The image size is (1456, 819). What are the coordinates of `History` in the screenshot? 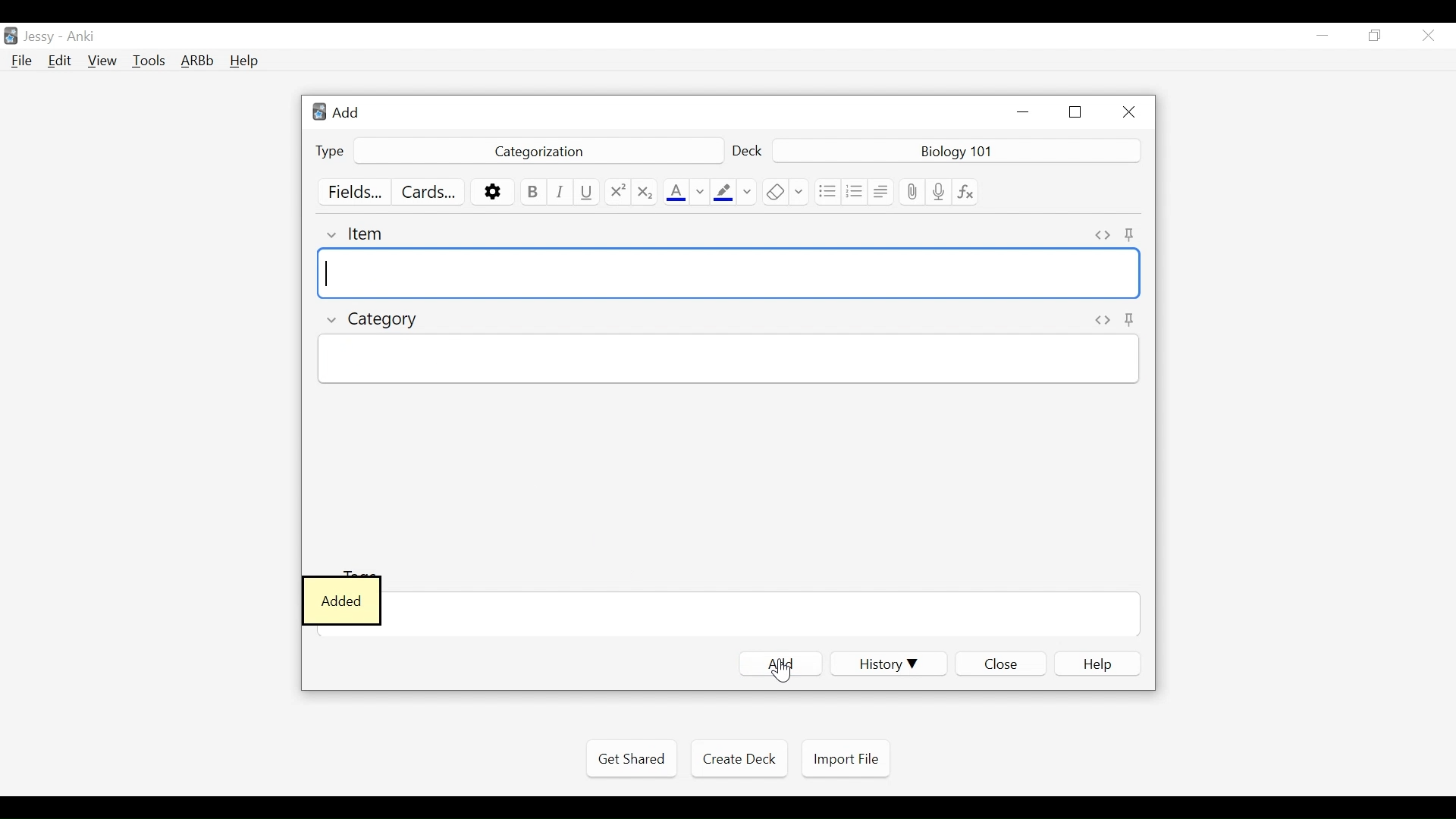 It's located at (888, 664).